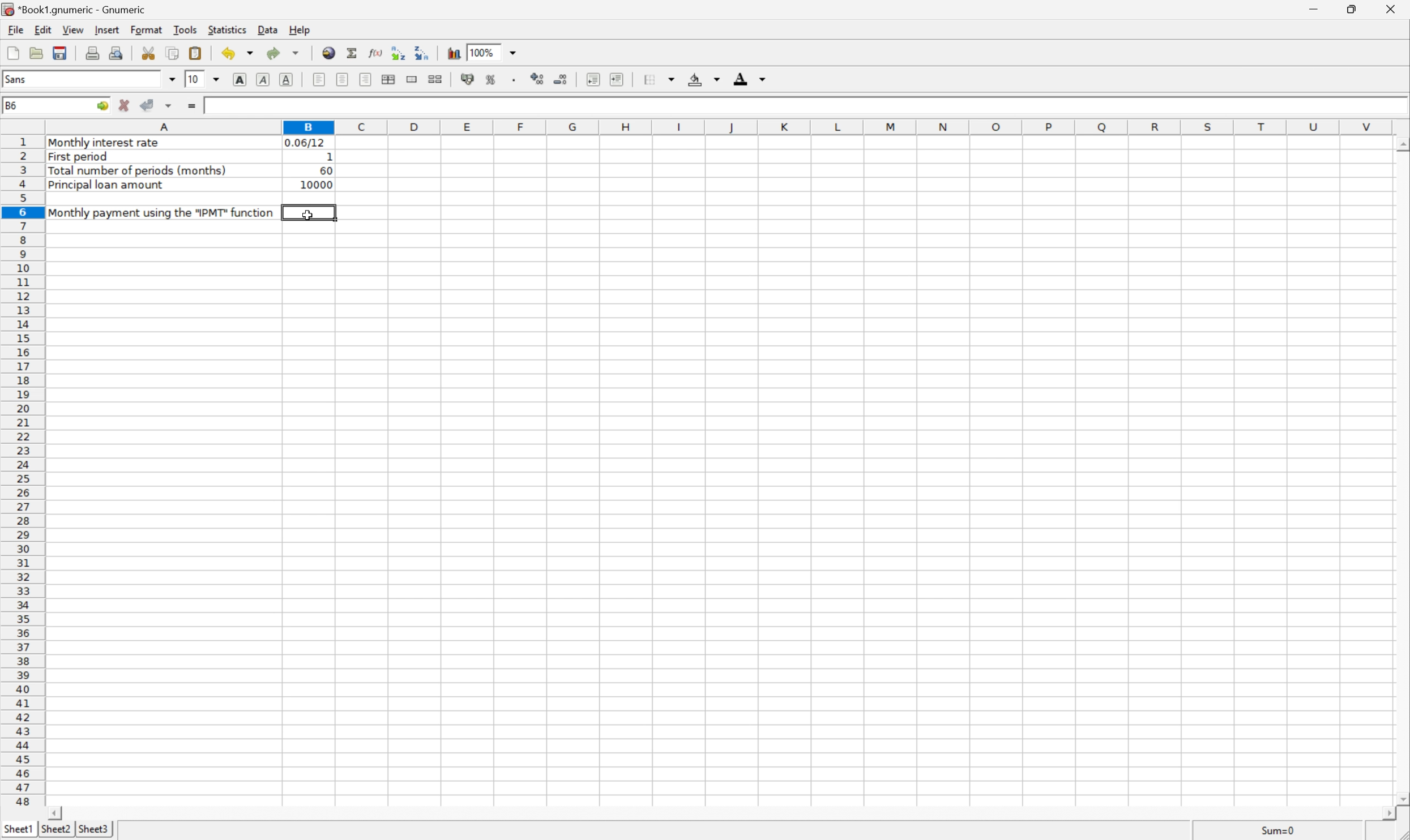 The image size is (1410, 840). I want to click on Increase the number of decimals displayed, so click(539, 79).